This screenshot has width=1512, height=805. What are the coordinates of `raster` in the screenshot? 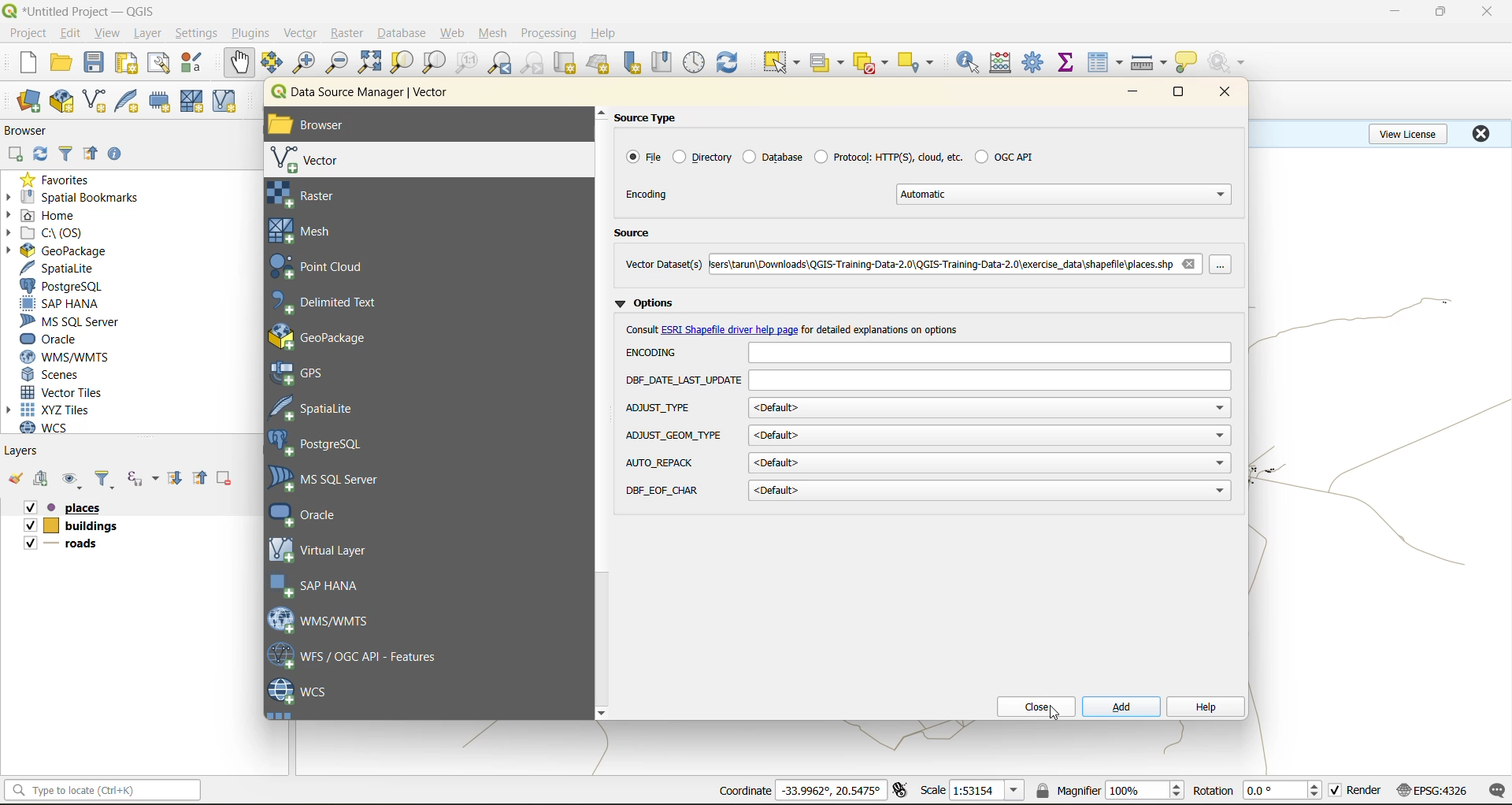 It's located at (348, 32).